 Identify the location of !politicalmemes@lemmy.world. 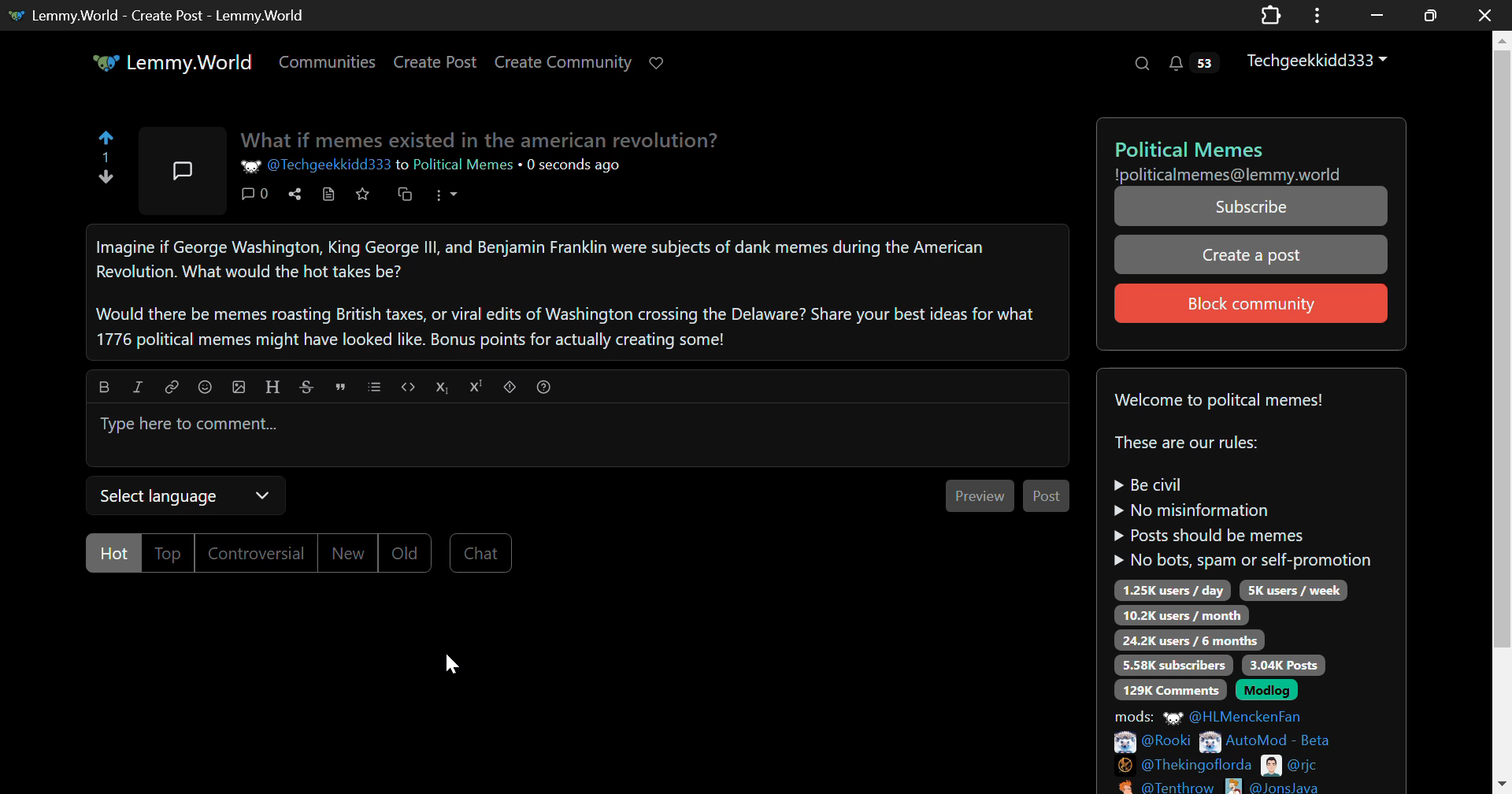
(1229, 174).